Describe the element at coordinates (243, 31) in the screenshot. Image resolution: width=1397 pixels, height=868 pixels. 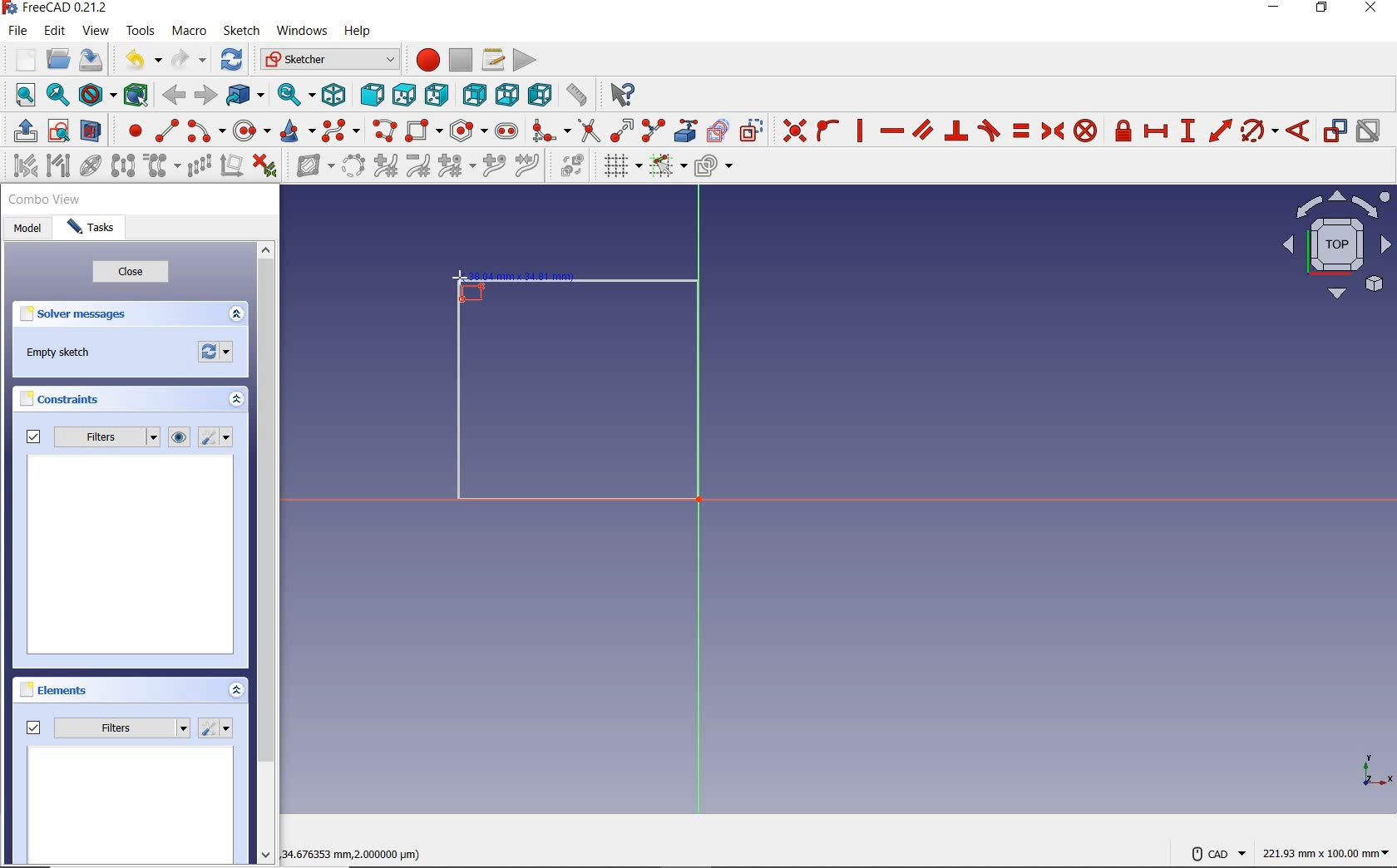
I see `sketch` at that location.